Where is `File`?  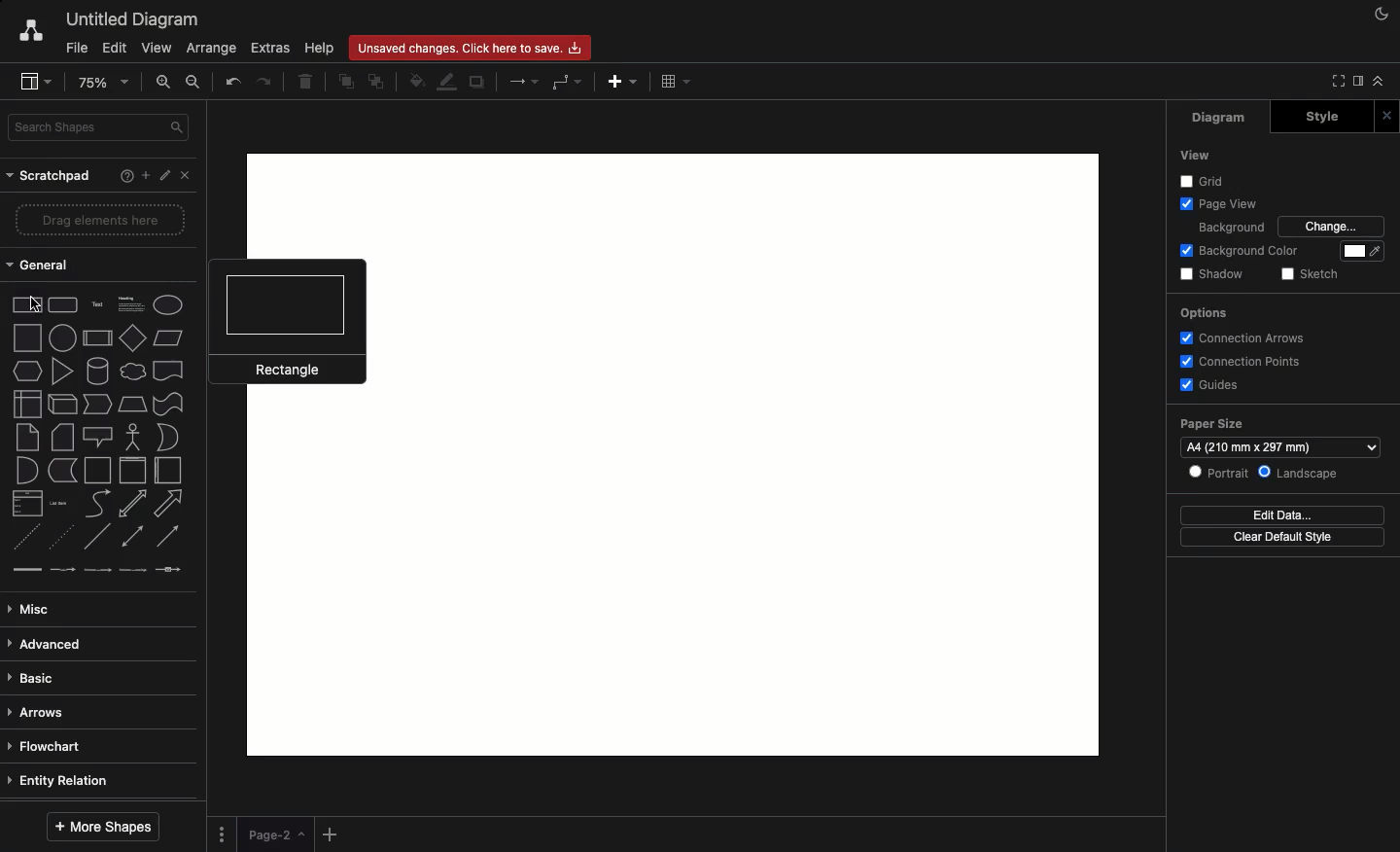 File is located at coordinates (74, 48).